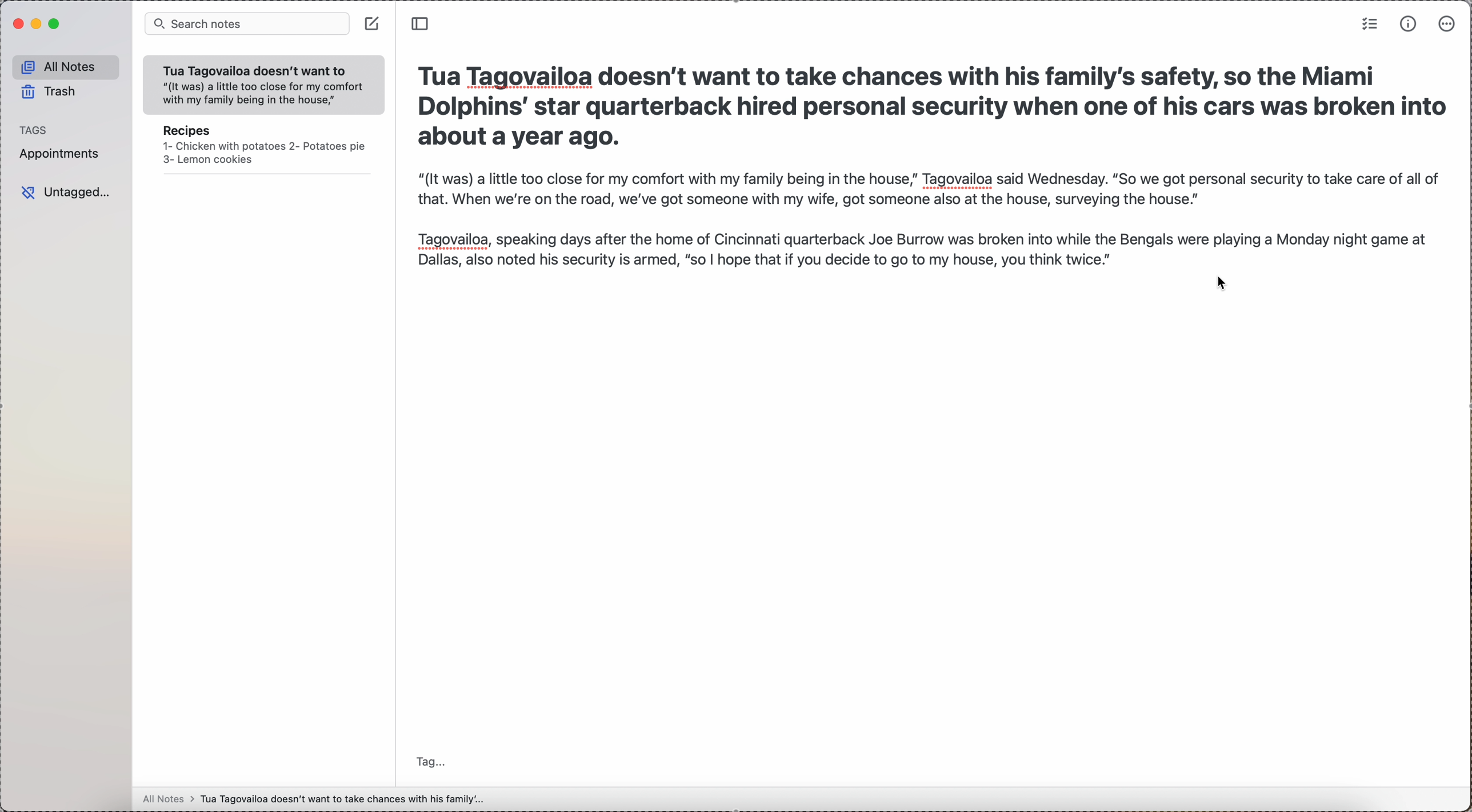 This screenshot has width=1472, height=812. Describe the element at coordinates (1447, 25) in the screenshot. I see `more options` at that location.